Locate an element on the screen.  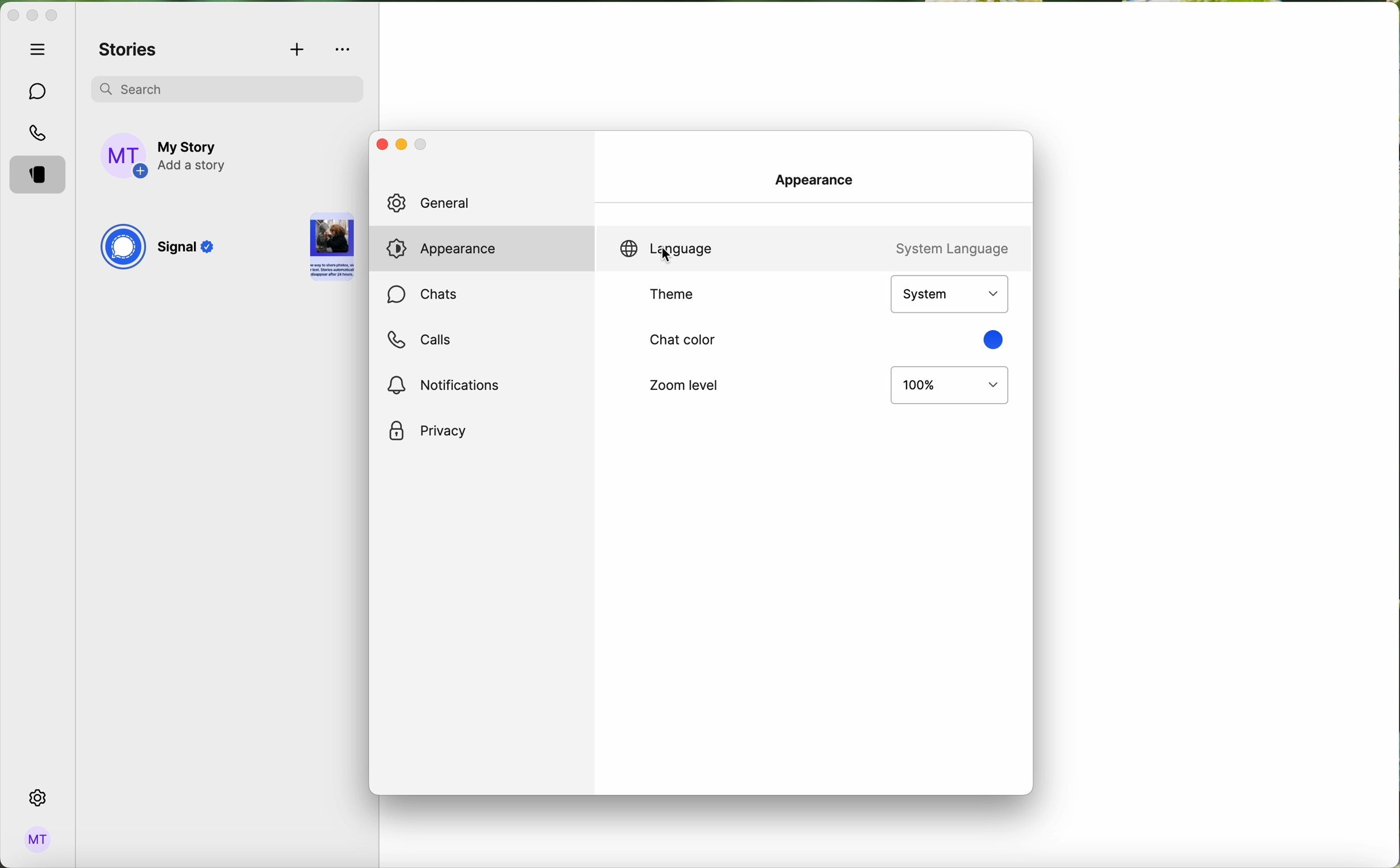
zoom level is located at coordinates (681, 384).